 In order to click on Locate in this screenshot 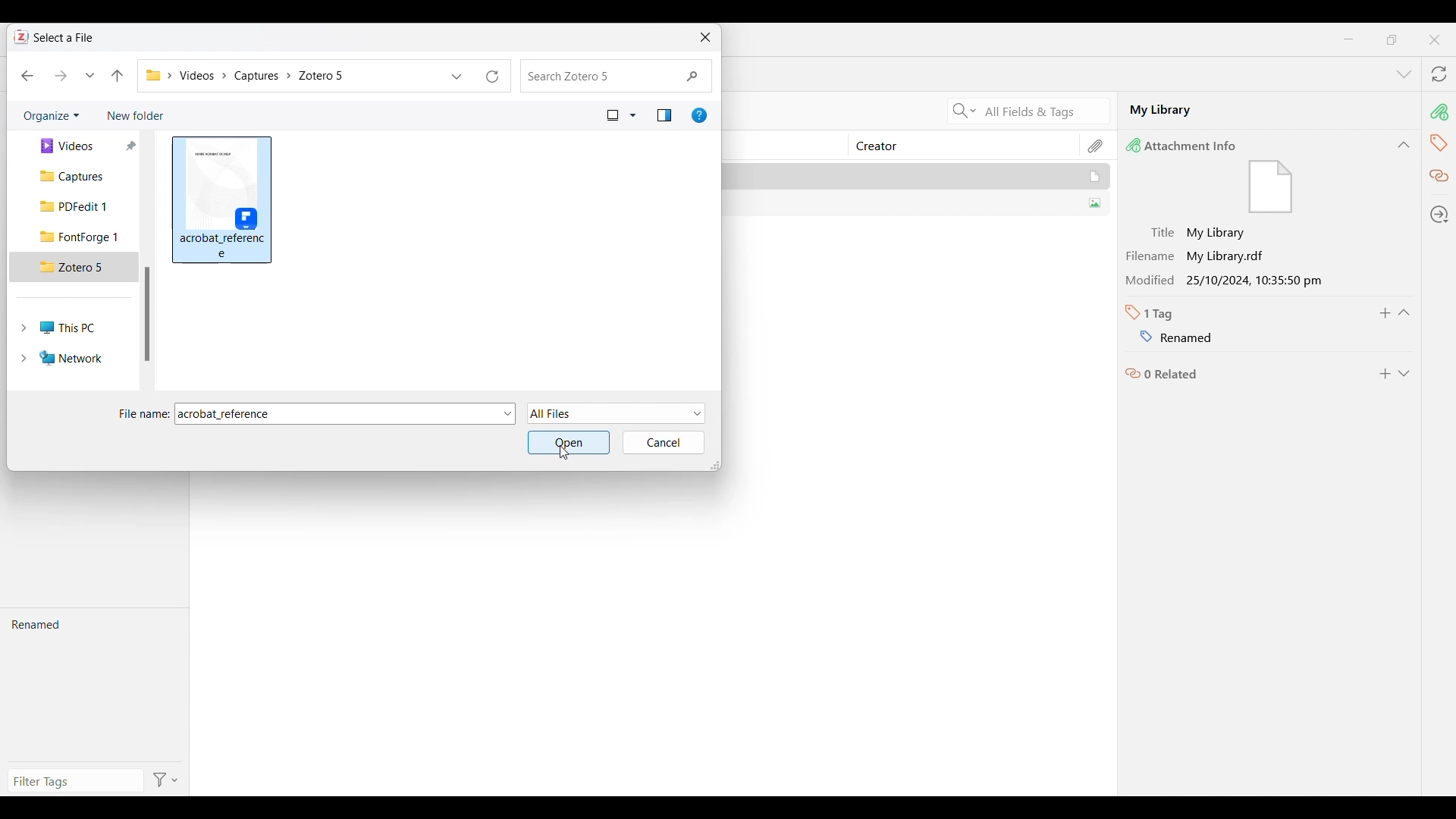, I will do `click(1439, 215)`.